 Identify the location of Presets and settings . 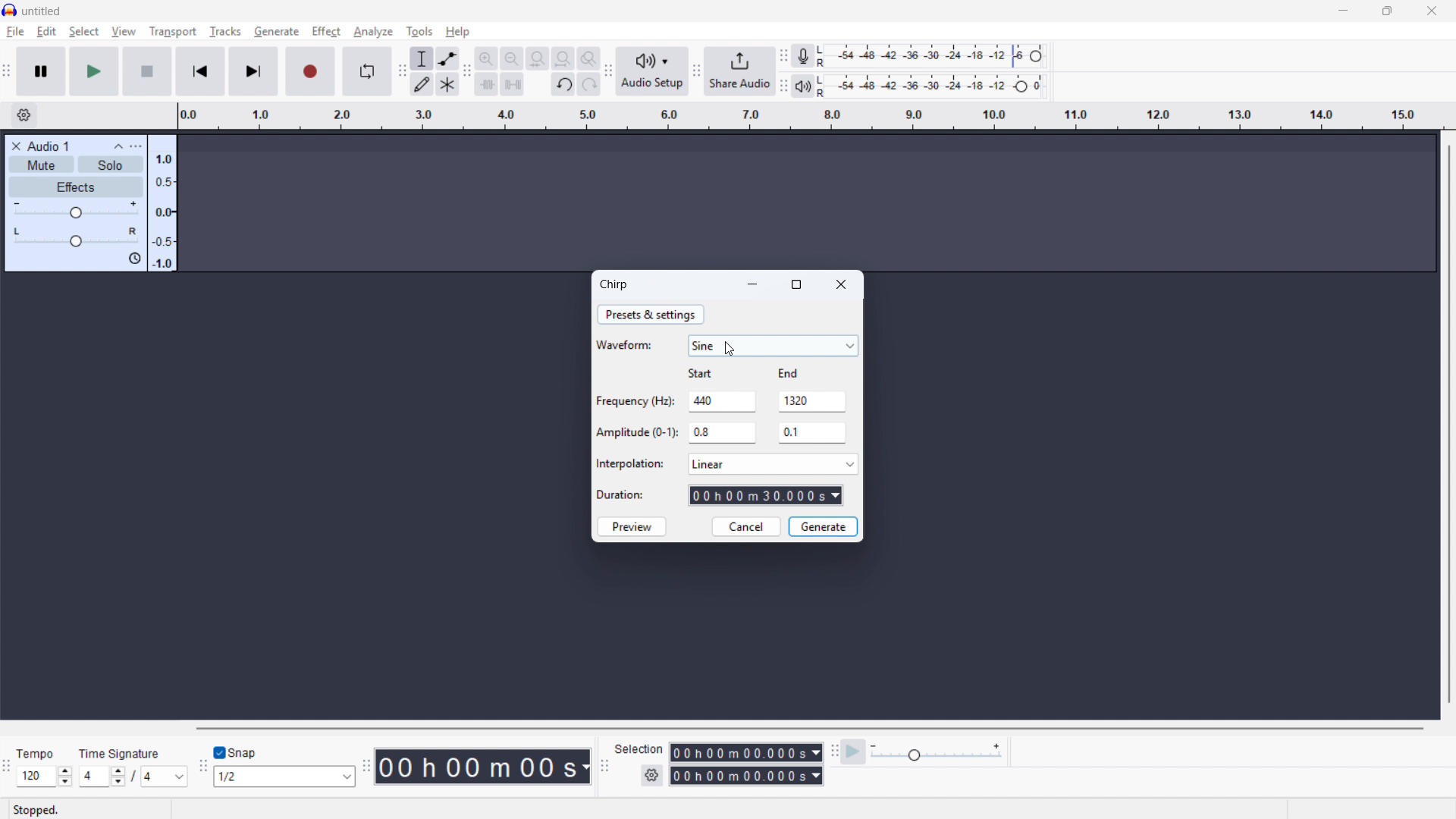
(651, 315).